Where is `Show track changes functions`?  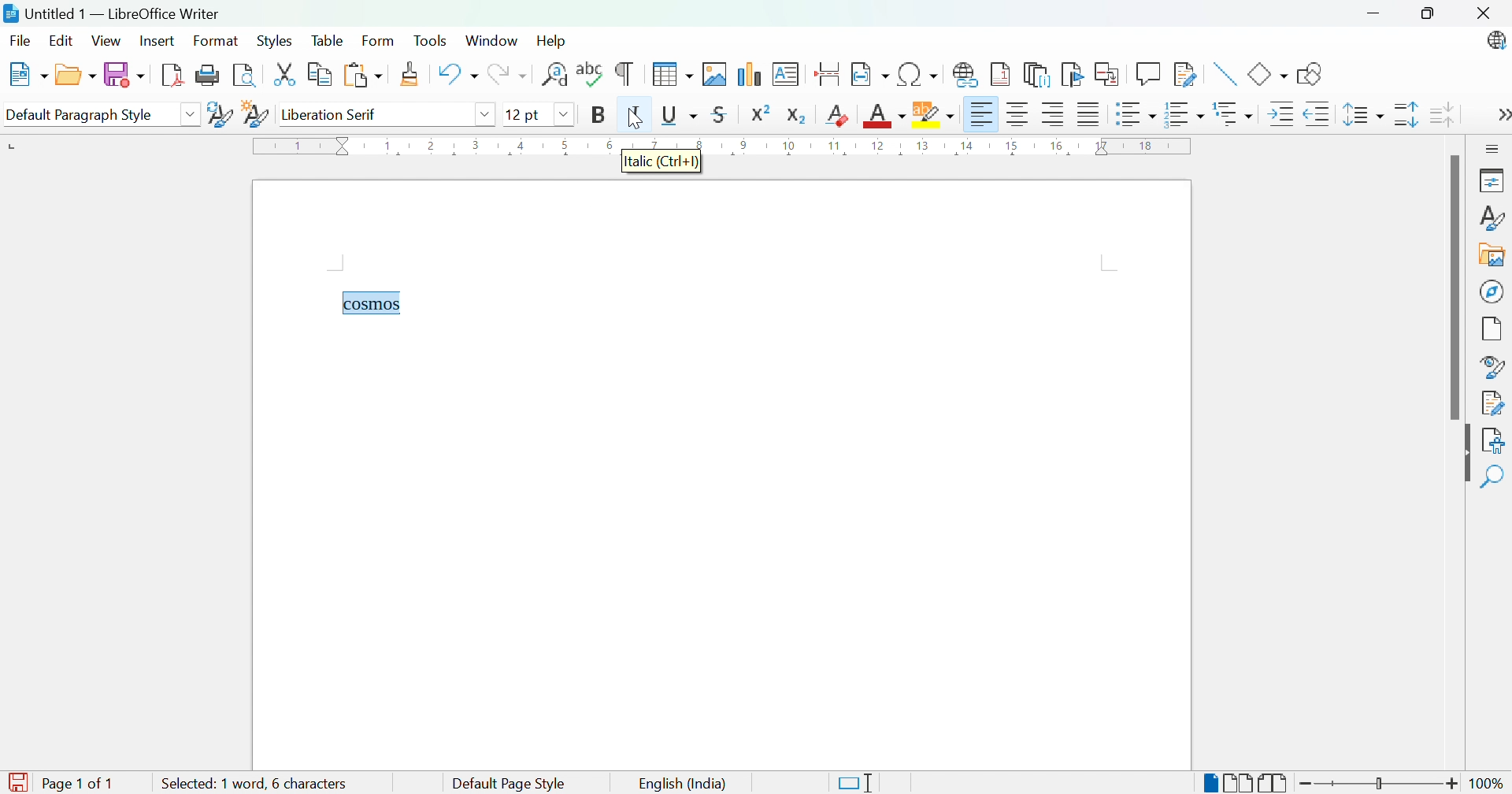
Show track changes functions is located at coordinates (1182, 72).